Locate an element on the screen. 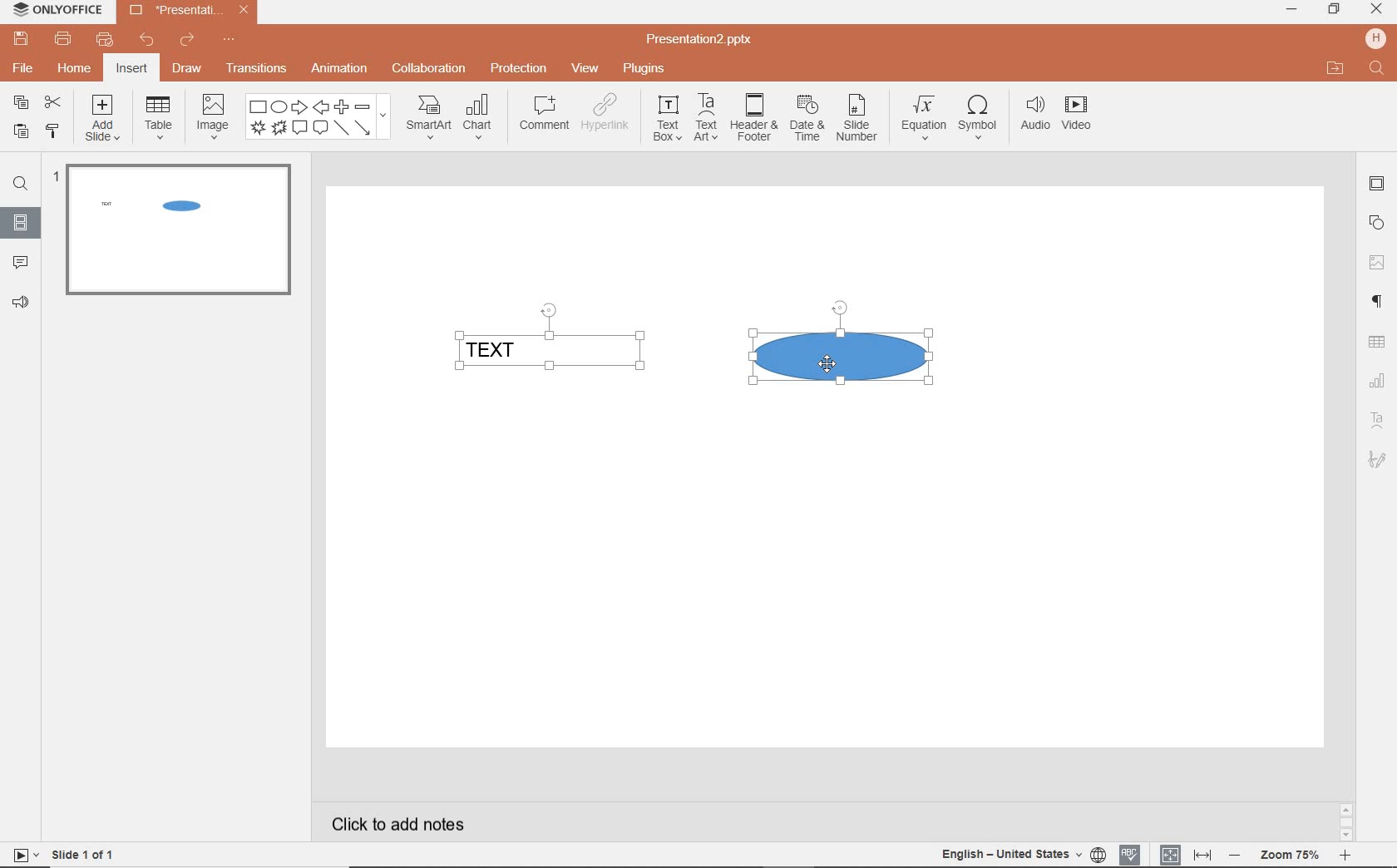 The height and width of the screenshot is (868, 1397). HP is located at coordinates (1377, 38).